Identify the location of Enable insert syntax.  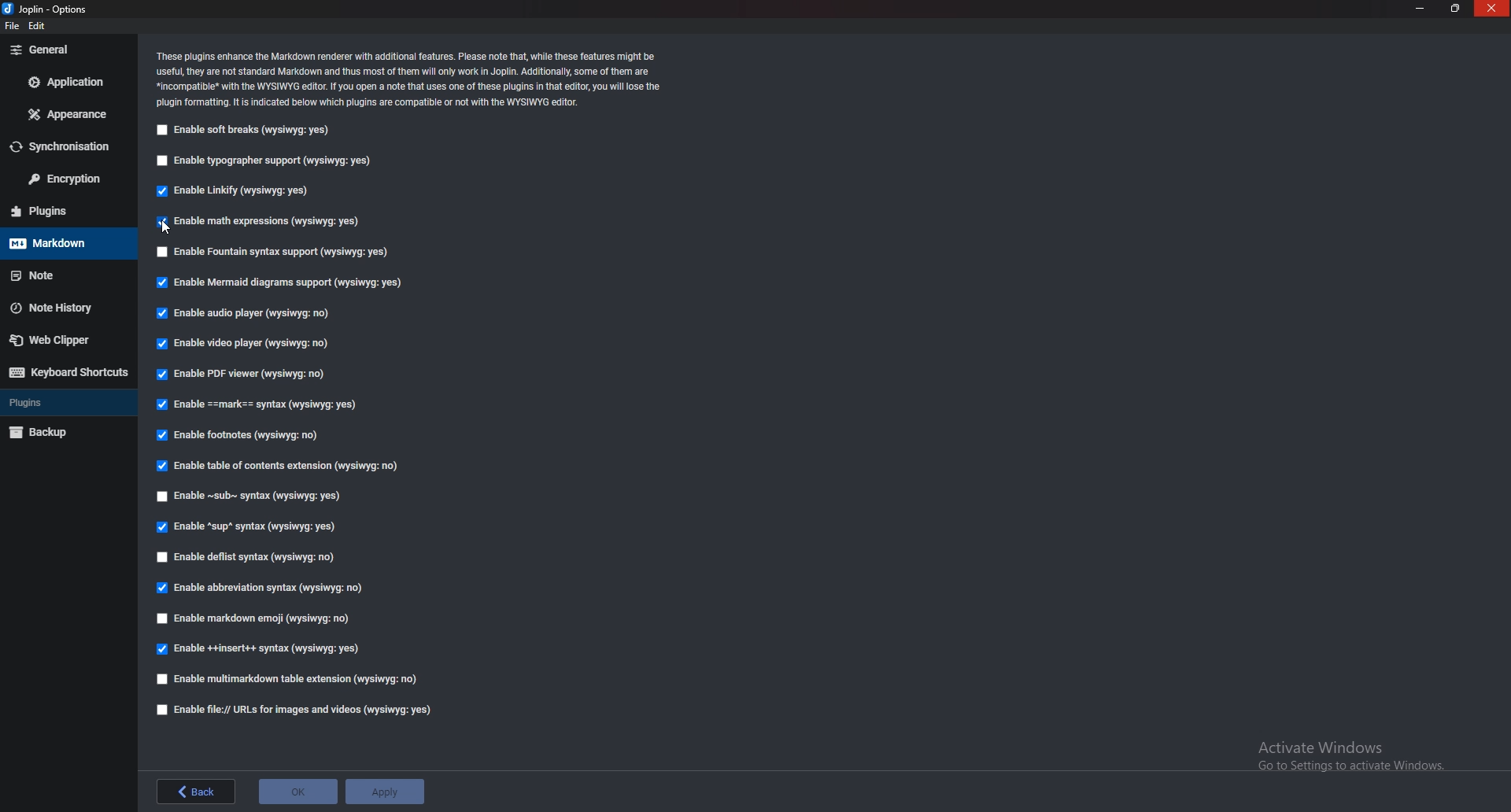
(258, 650).